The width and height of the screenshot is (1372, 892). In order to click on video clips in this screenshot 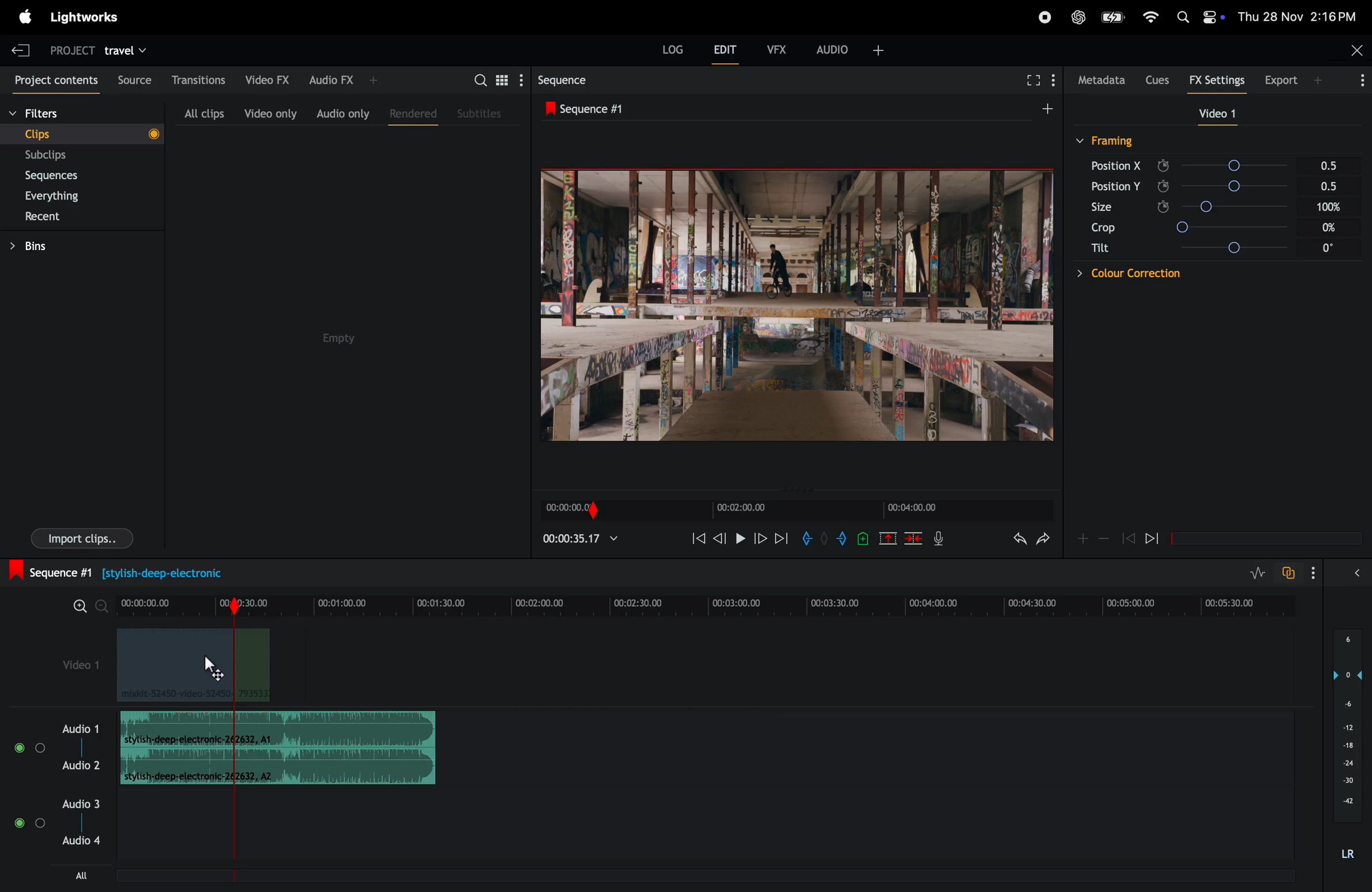, I will do `click(191, 665)`.